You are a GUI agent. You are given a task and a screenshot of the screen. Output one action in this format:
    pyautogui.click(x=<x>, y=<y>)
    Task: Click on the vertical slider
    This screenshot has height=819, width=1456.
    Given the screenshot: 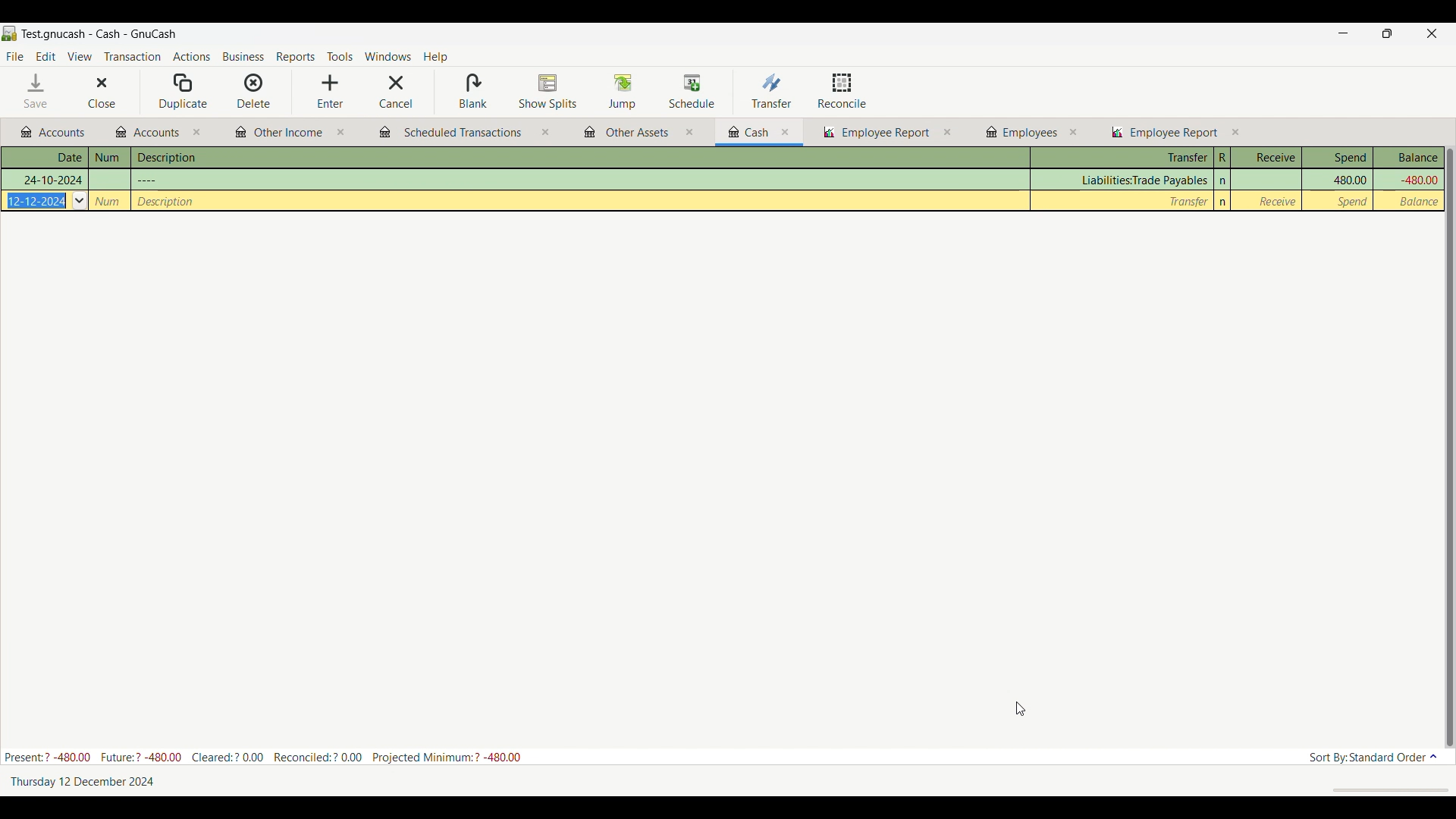 What is the action you would take?
    pyautogui.click(x=1449, y=440)
    